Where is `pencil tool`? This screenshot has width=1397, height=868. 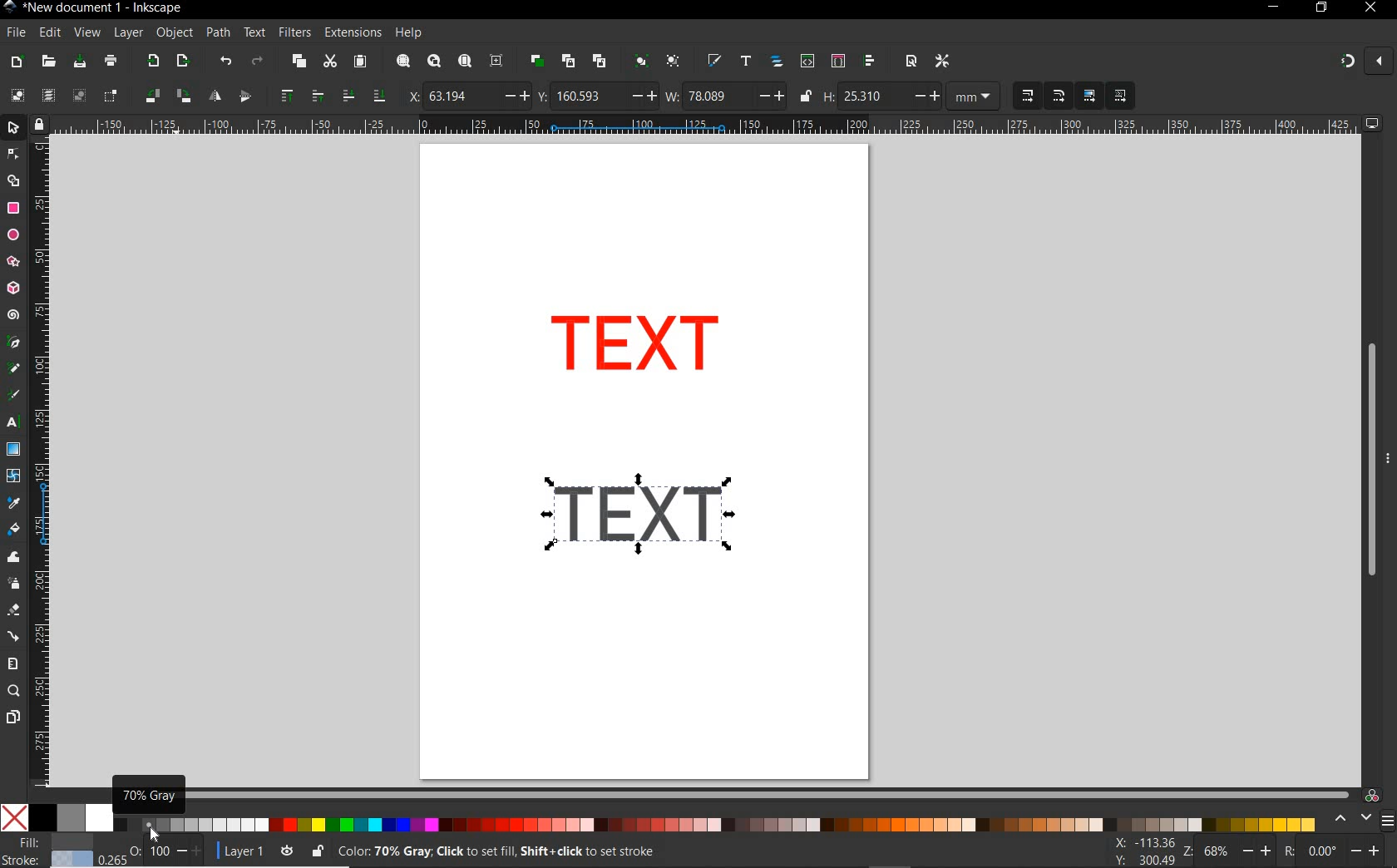 pencil tool is located at coordinates (15, 369).